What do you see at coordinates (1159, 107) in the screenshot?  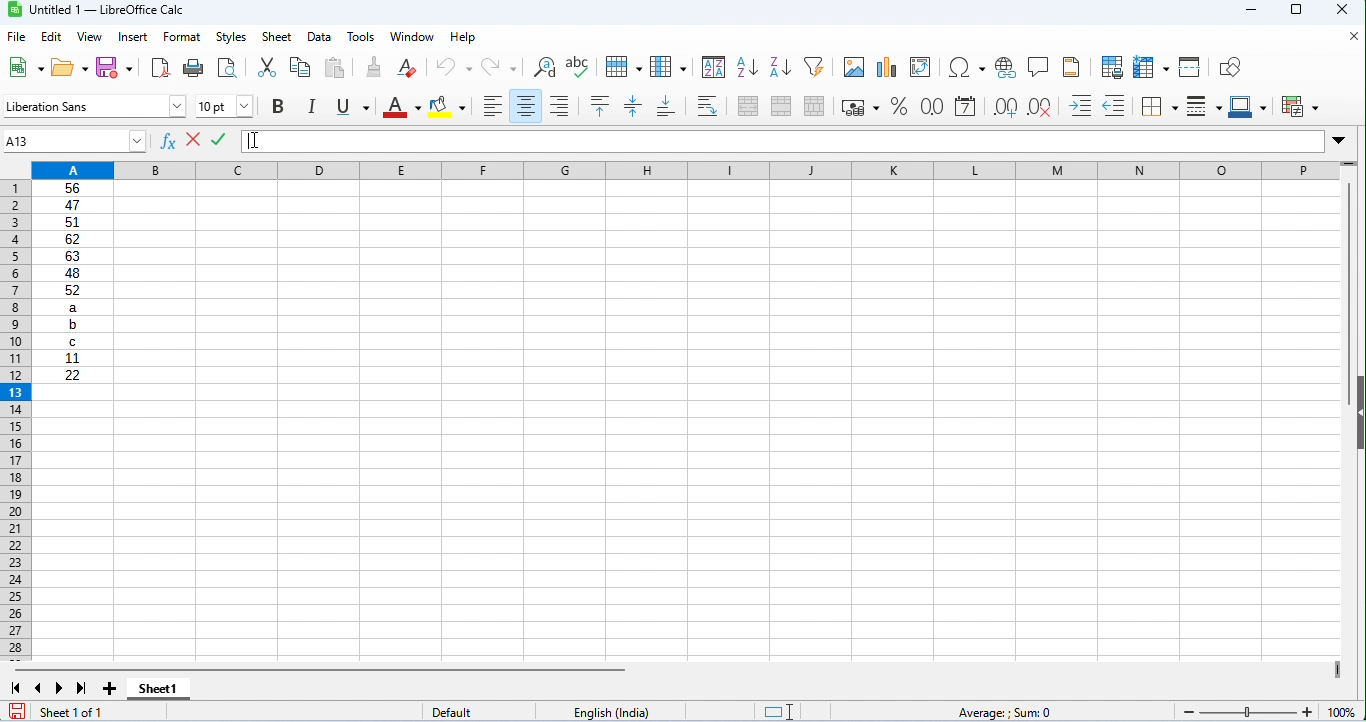 I see `border` at bounding box center [1159, 107].